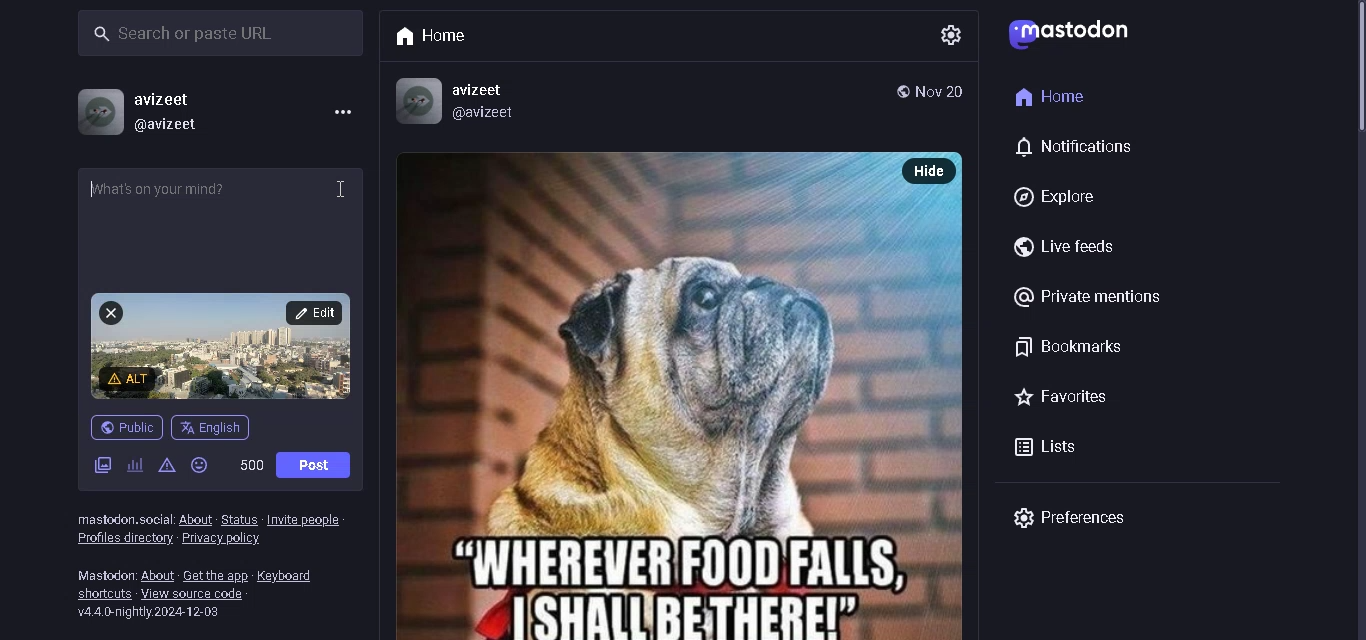 The image size is (1366, 640). What do you see at coordinates (212, 35) in the screenshot?
I see `search bar` at bounding box center [212, 35].